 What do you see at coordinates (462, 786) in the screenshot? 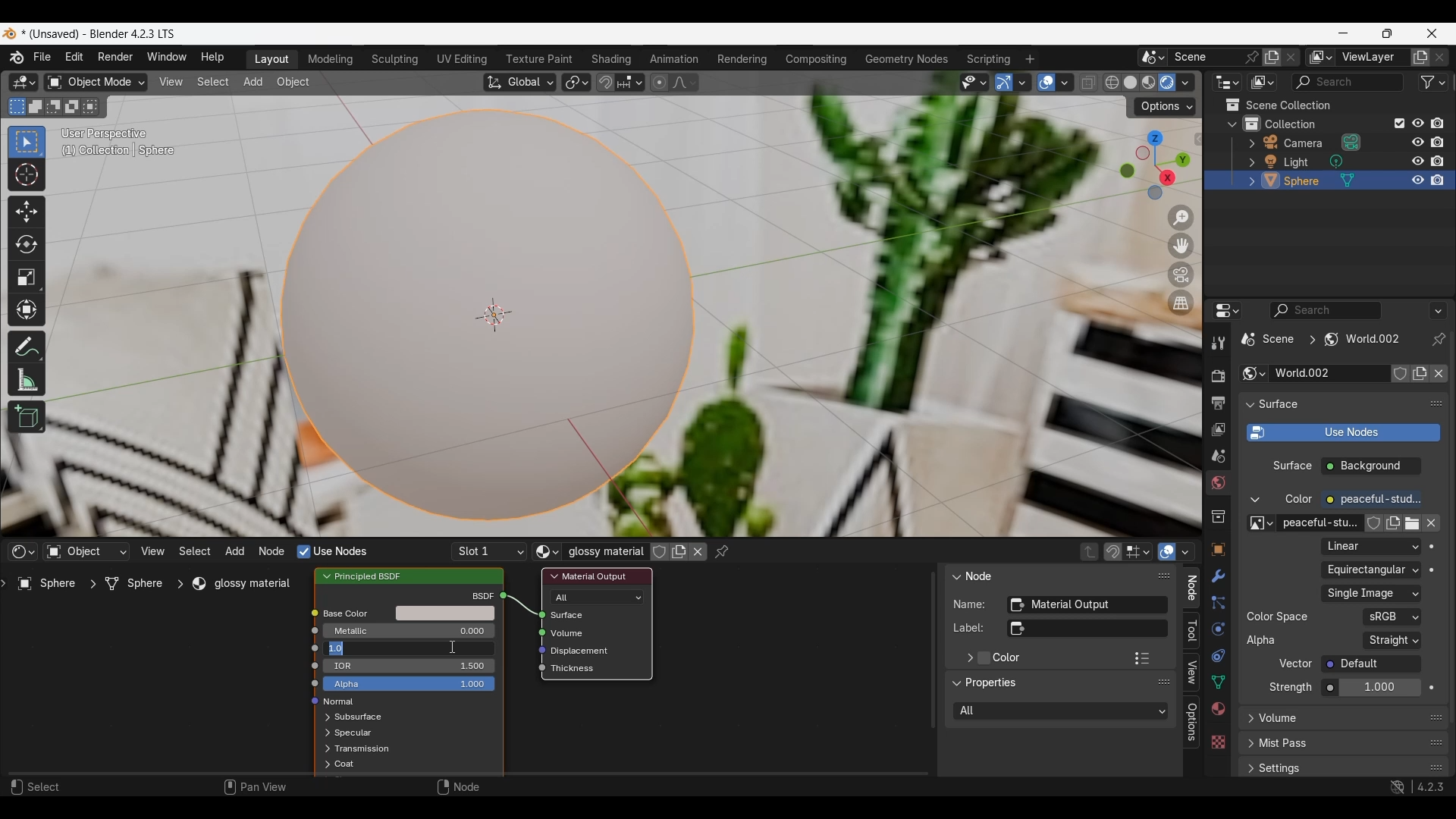
I see `Node` at bounding box center [462, 786].